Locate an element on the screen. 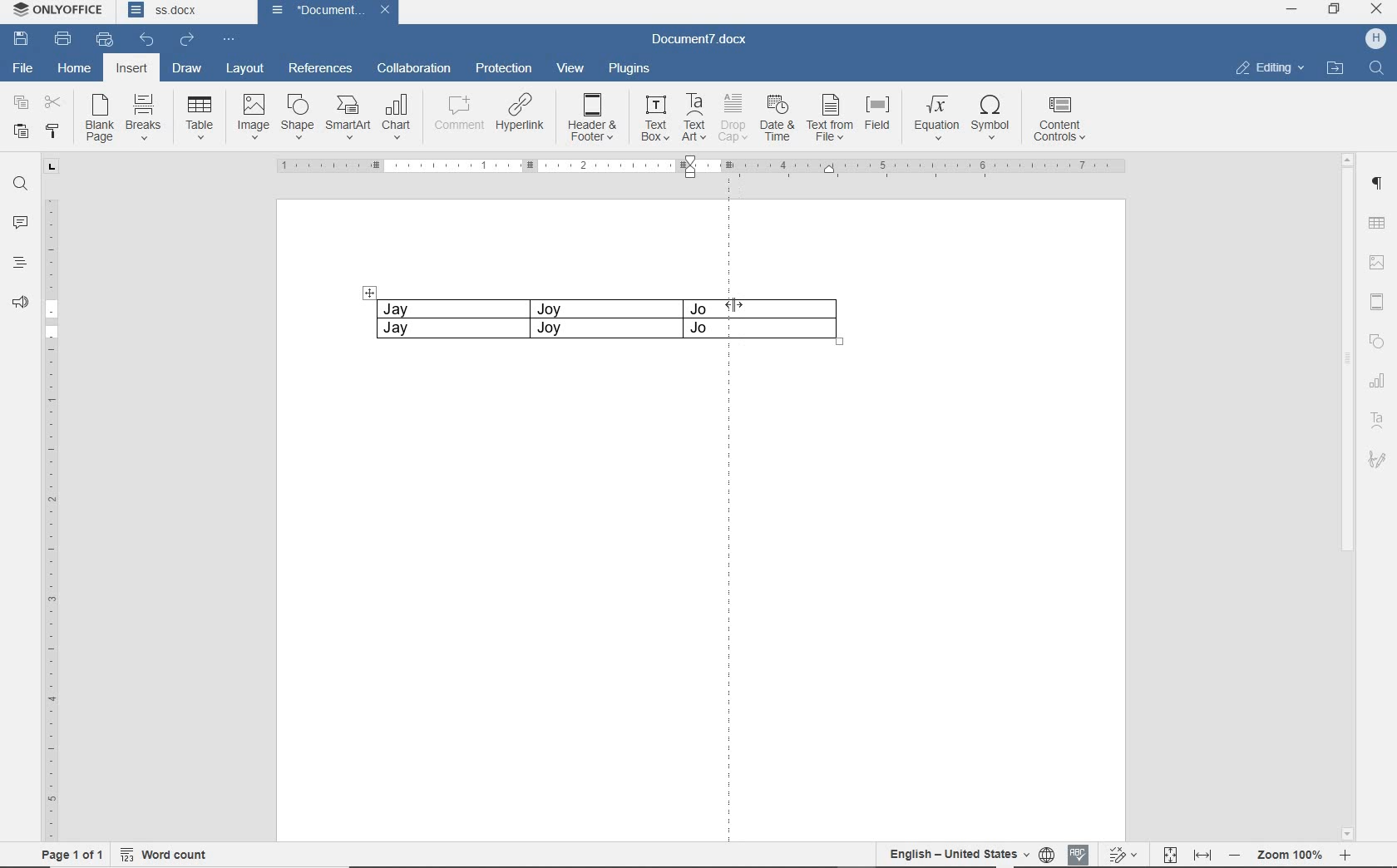 Image resolution: width=1397 pixels, height=868 pixels. PROTECTION is located at coordinates (502, 68).